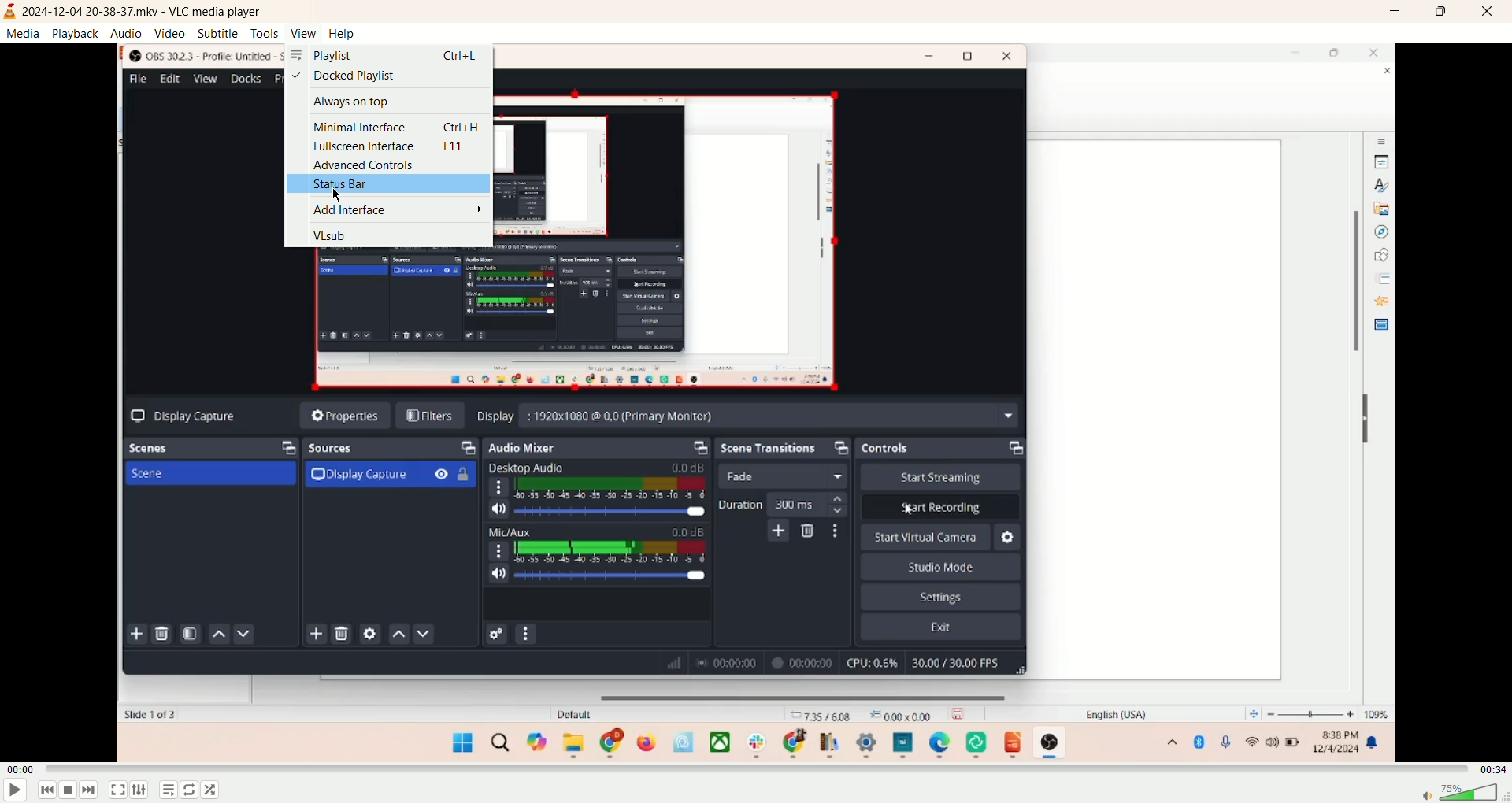  What do you see at coordinates (147, 11) in the screenshot?
I see `2024-12-04 20-38-37.mkv - VLC media player` at bounding box center [147, 11].